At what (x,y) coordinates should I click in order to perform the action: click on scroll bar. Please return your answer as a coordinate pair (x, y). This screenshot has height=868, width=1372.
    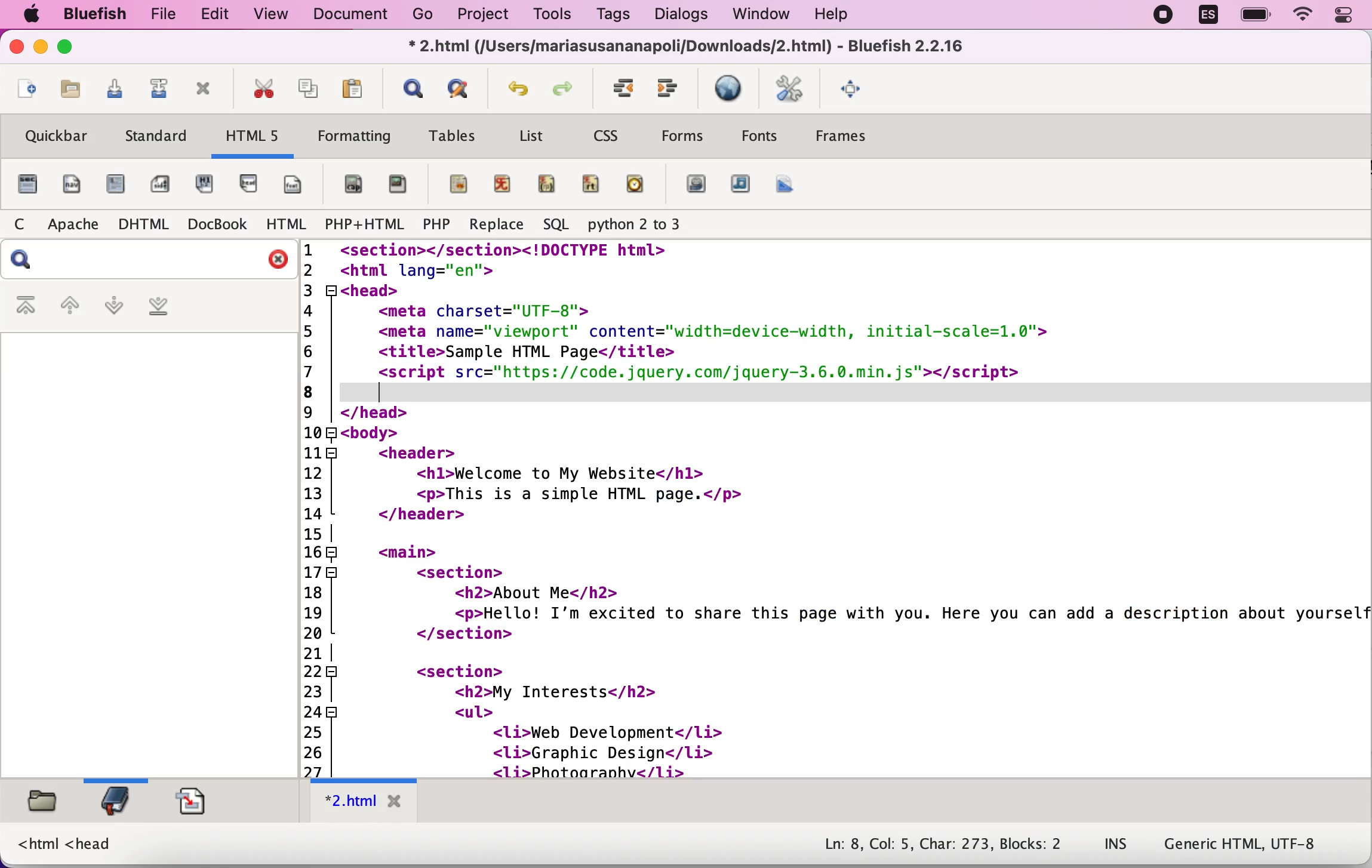
    Looking at the image, I should click on (750, 772).